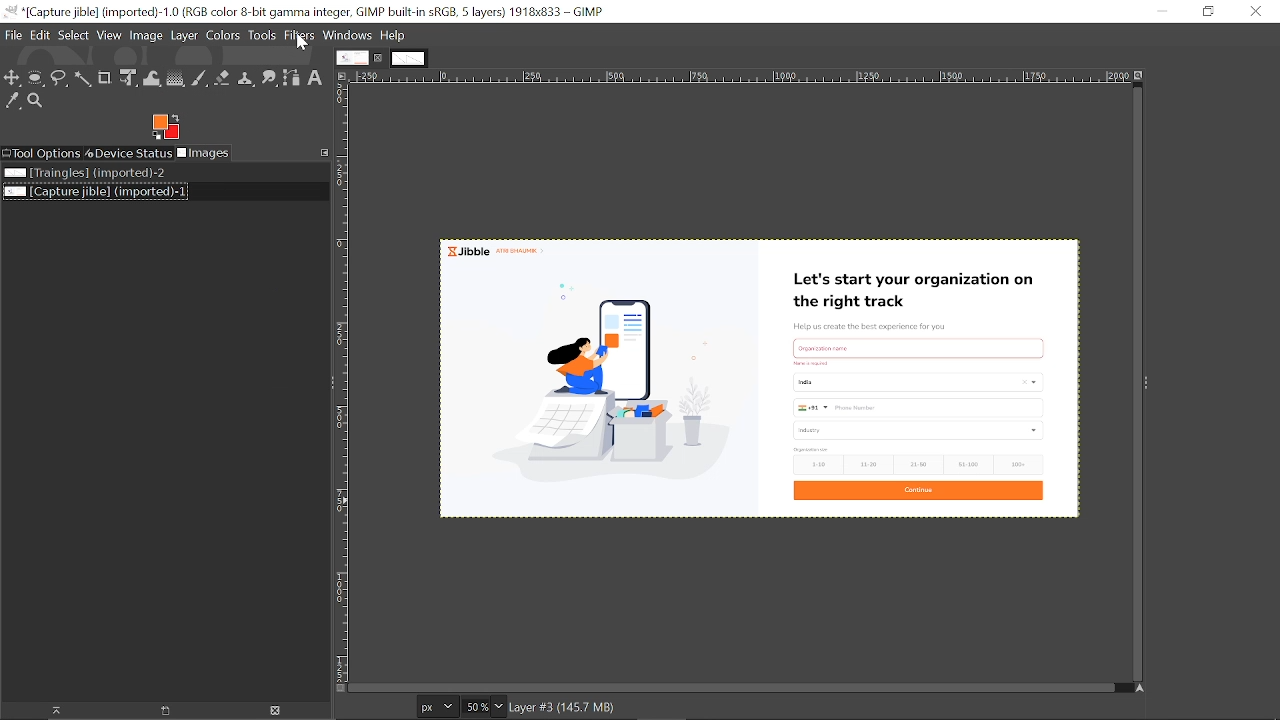 This screenshot has height=720, width=1280. I want to click on Free select tool, so click(84, 80).